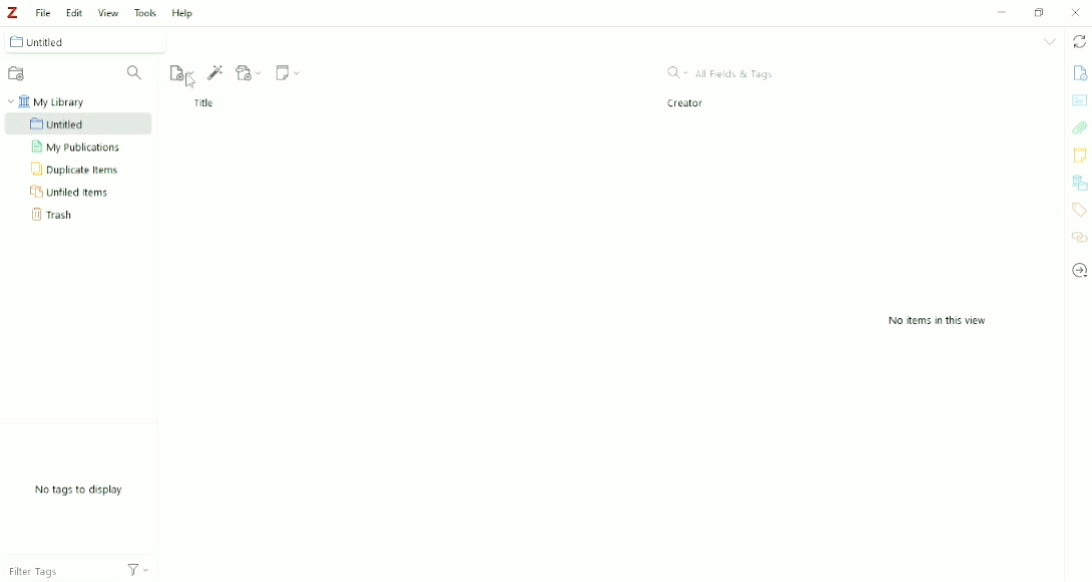 The height and width of the screenshot is (582, 1092). I want to click on Filter Collections, so click(137, 73).